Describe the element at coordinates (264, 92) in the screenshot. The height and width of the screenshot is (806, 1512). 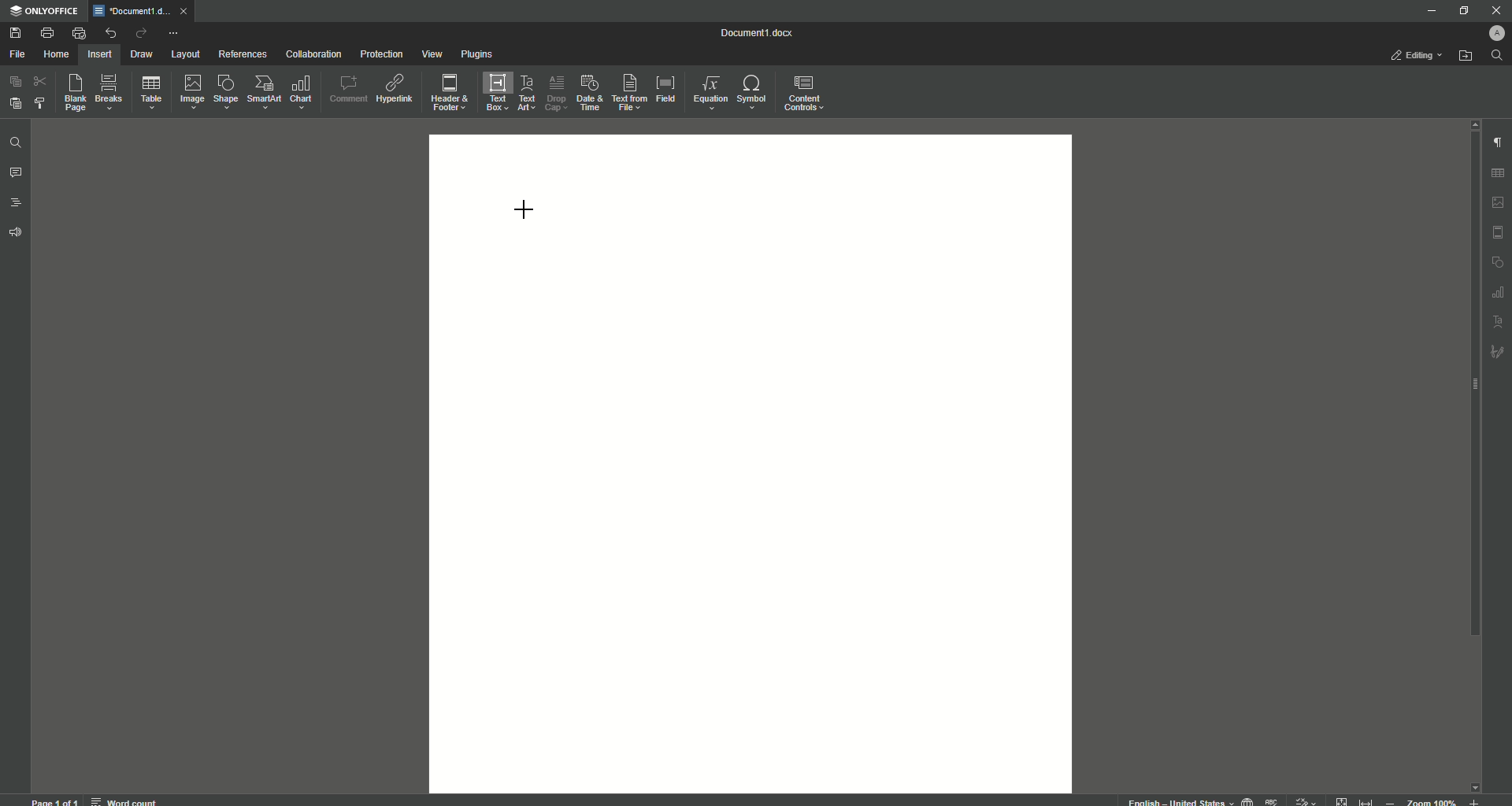
I see `SmartArt` at that location.